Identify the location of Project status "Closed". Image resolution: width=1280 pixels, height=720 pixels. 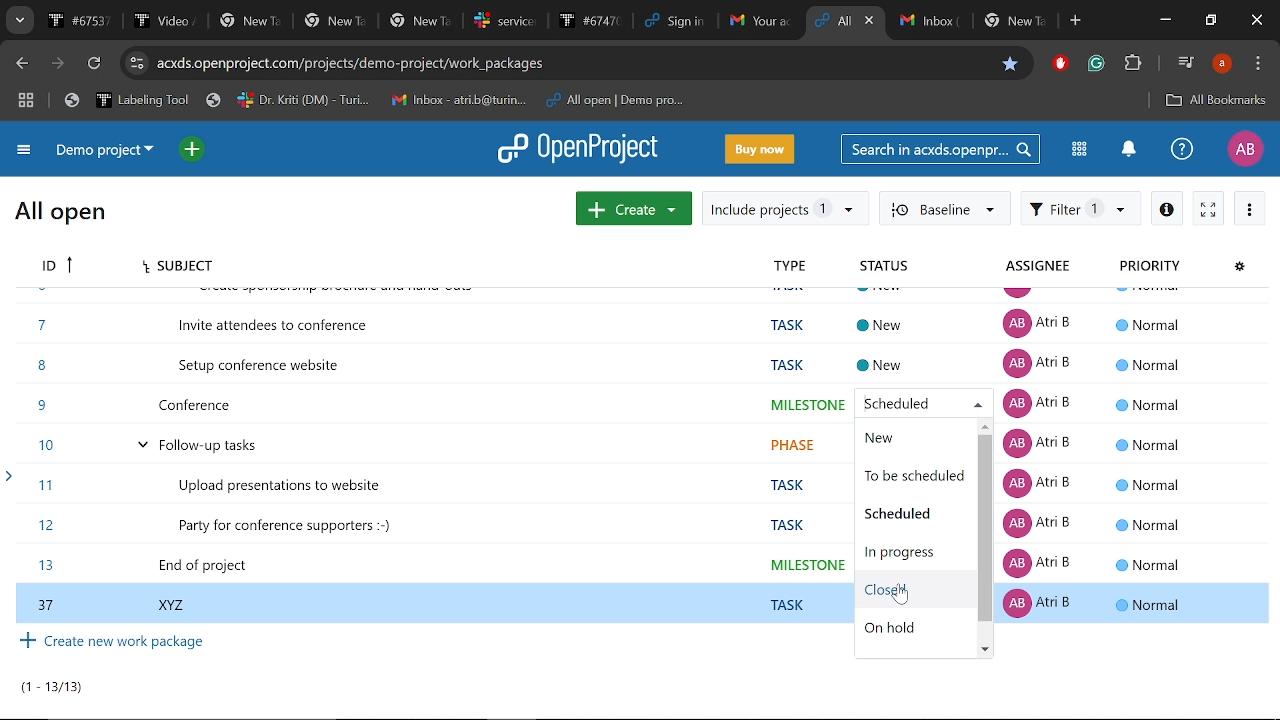
(906, 589).